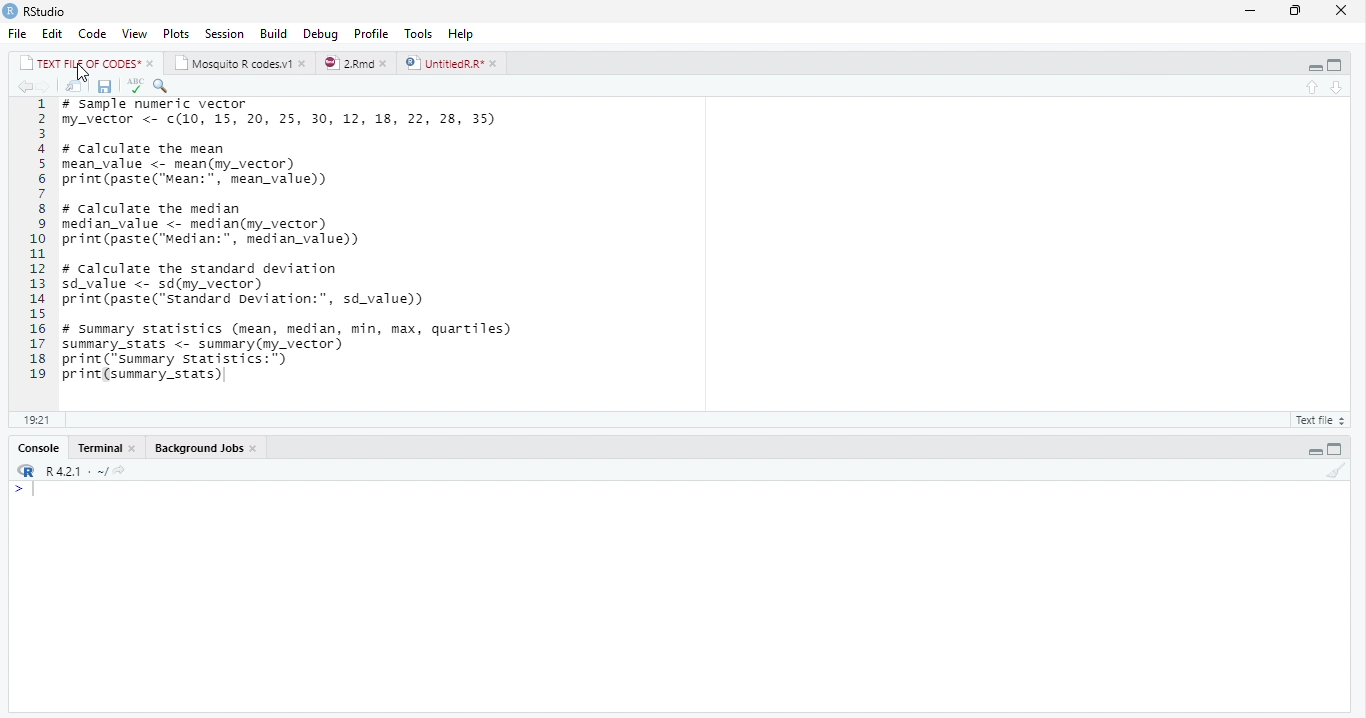 This screenshot has width=1366, height=718. I want to click on edit, so click(53, 34).